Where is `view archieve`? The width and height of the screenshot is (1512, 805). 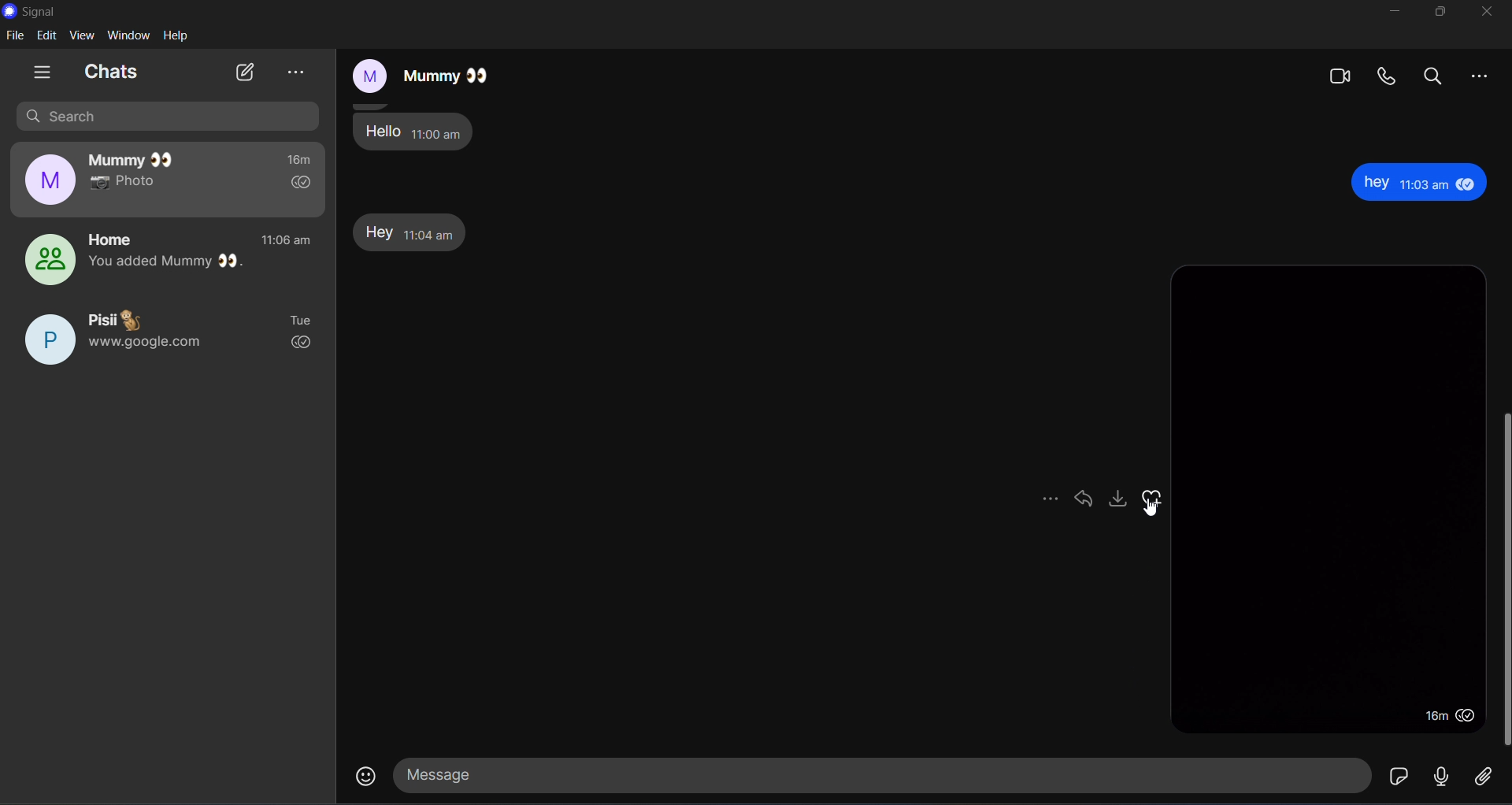 view archieve is located at coordinates (295, 72).